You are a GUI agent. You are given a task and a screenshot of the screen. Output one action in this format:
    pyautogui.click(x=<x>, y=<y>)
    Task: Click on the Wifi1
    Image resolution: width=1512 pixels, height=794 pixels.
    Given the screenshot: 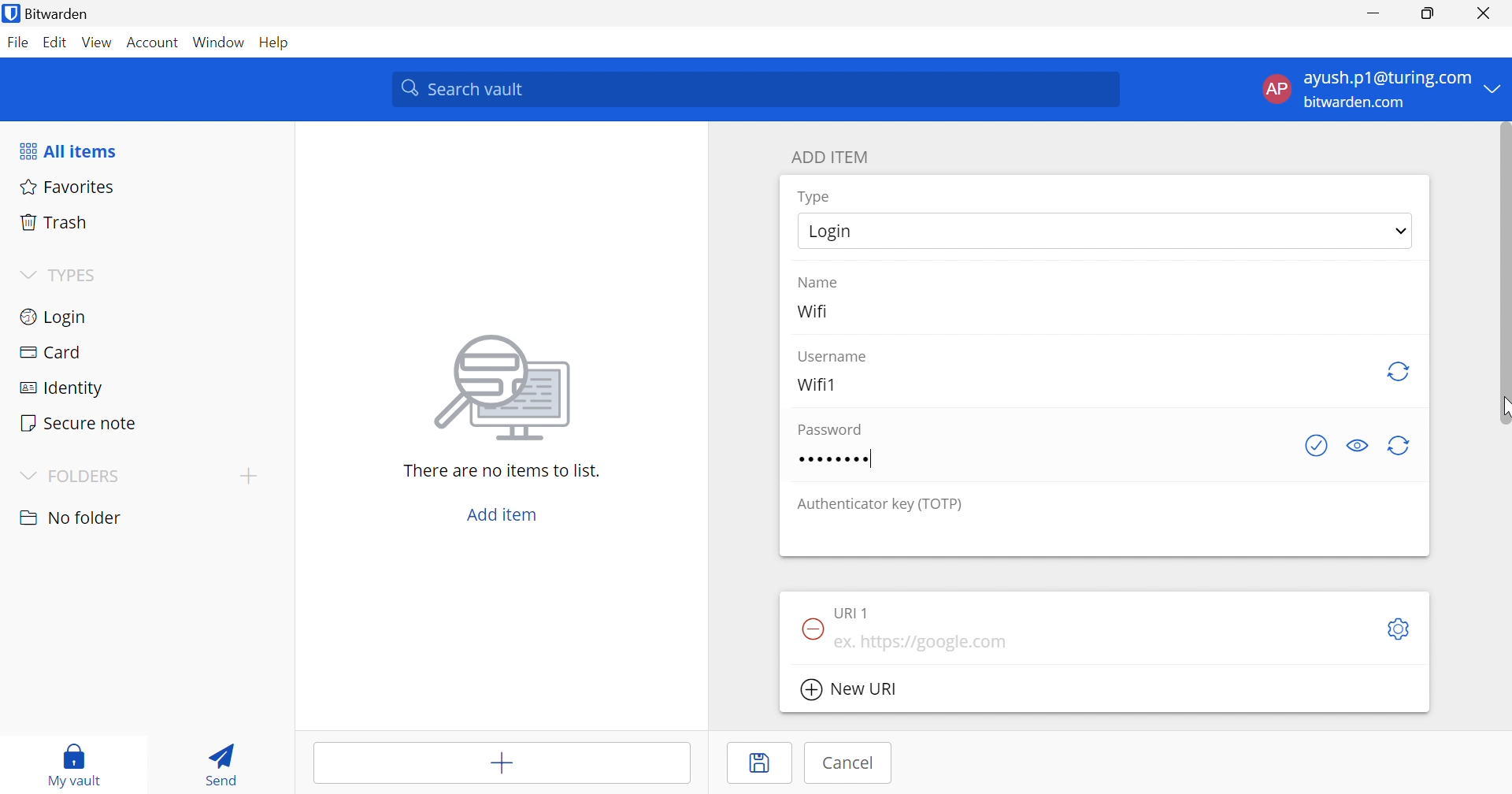 What is the action you would take?
    pyautogui.click(x=817, y=386)
    